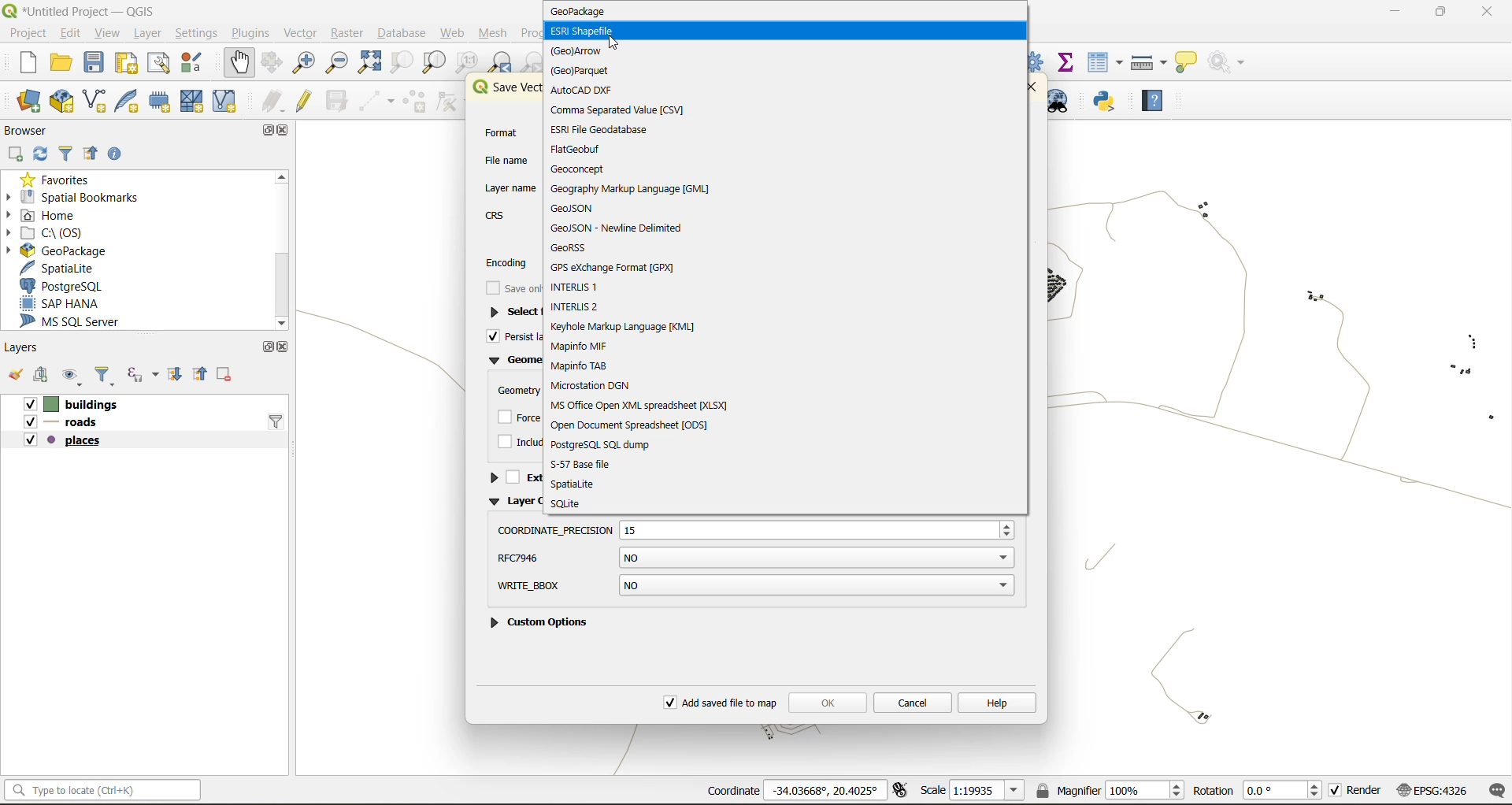 The width and height of the screenshot is (1512, 805). I want to click on maximize, so click(265, 347).